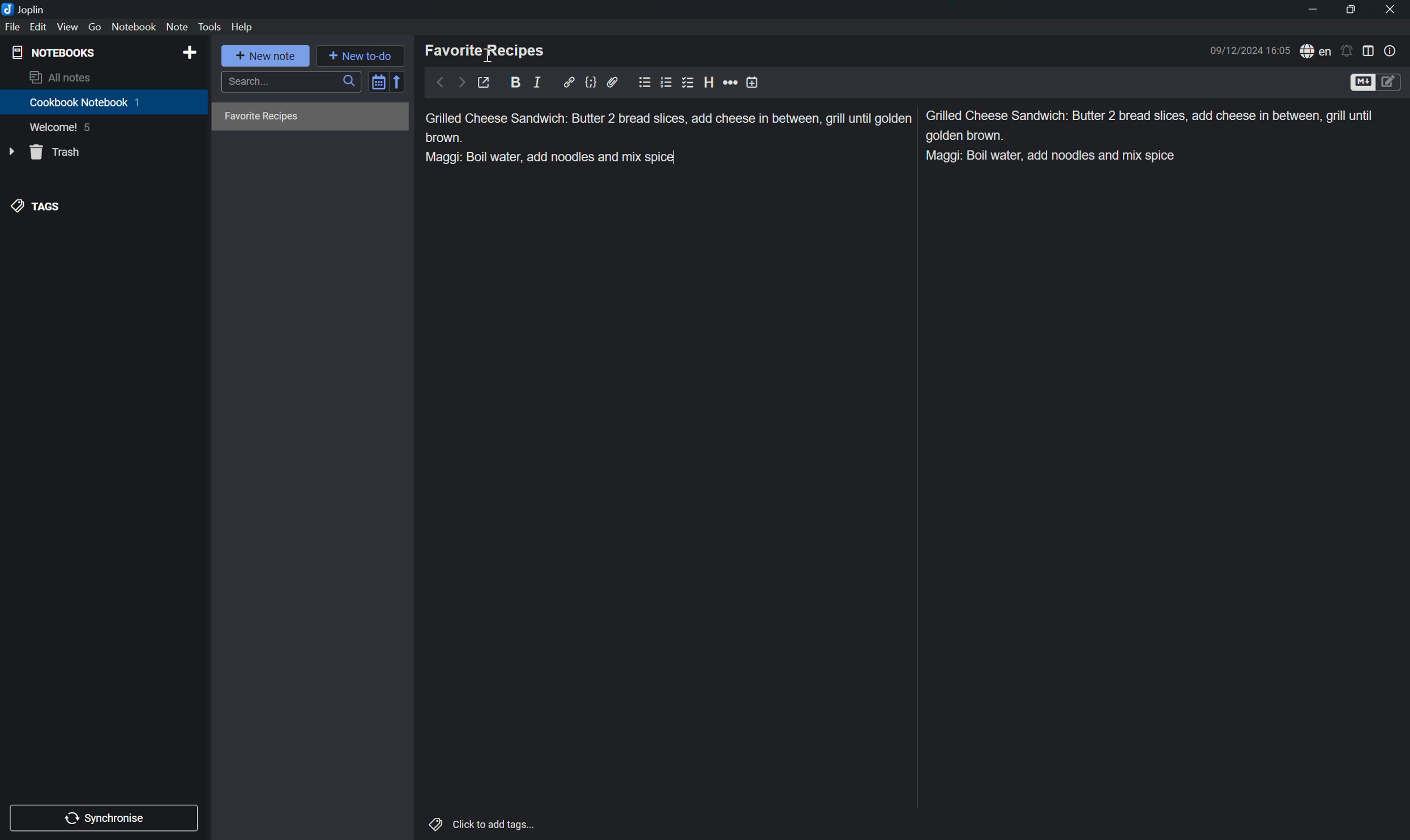 Image resolution: width=1410 pixels, height=840 pixels. What do you see at coordinates (551, 157) in the screenshot?
I see `Maggi: Boil water, add noodles and mix spice` at bounding box center [551, 157].